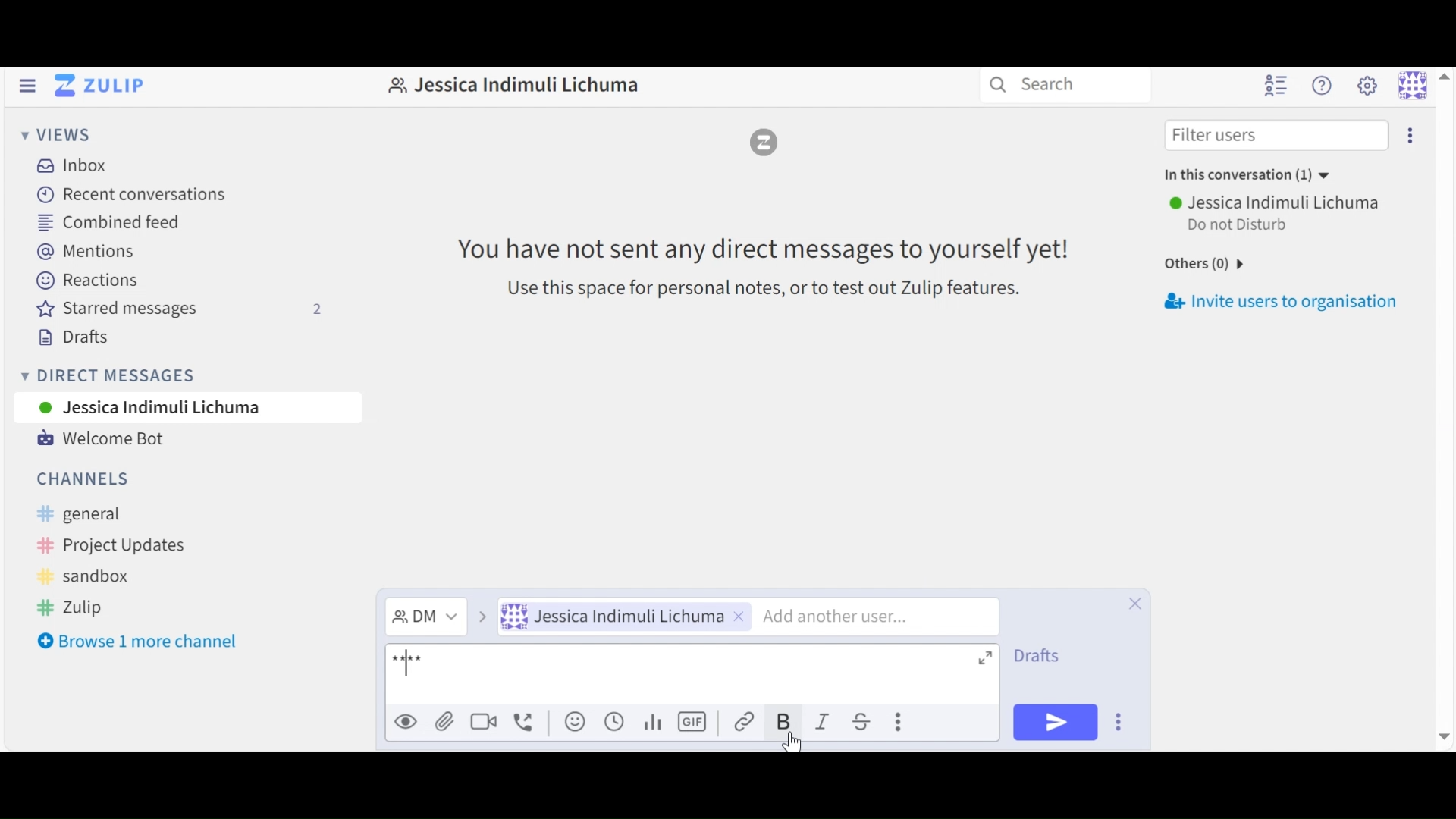 The height and width of the screenshot is (819, 1456). I want to click on Strikethrough, so click(867, 721).